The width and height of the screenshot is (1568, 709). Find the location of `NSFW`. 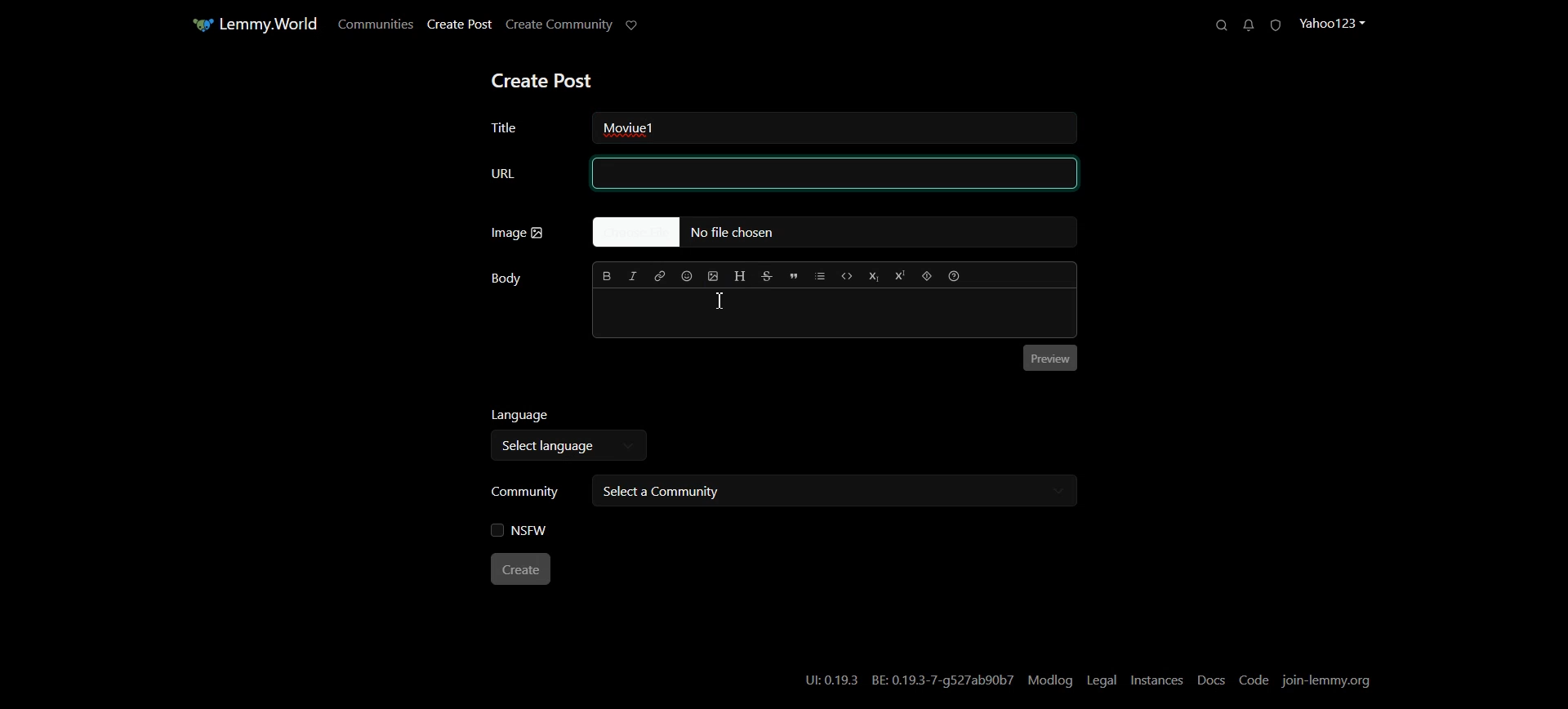

NSFW is located at coordinates (520, 531).